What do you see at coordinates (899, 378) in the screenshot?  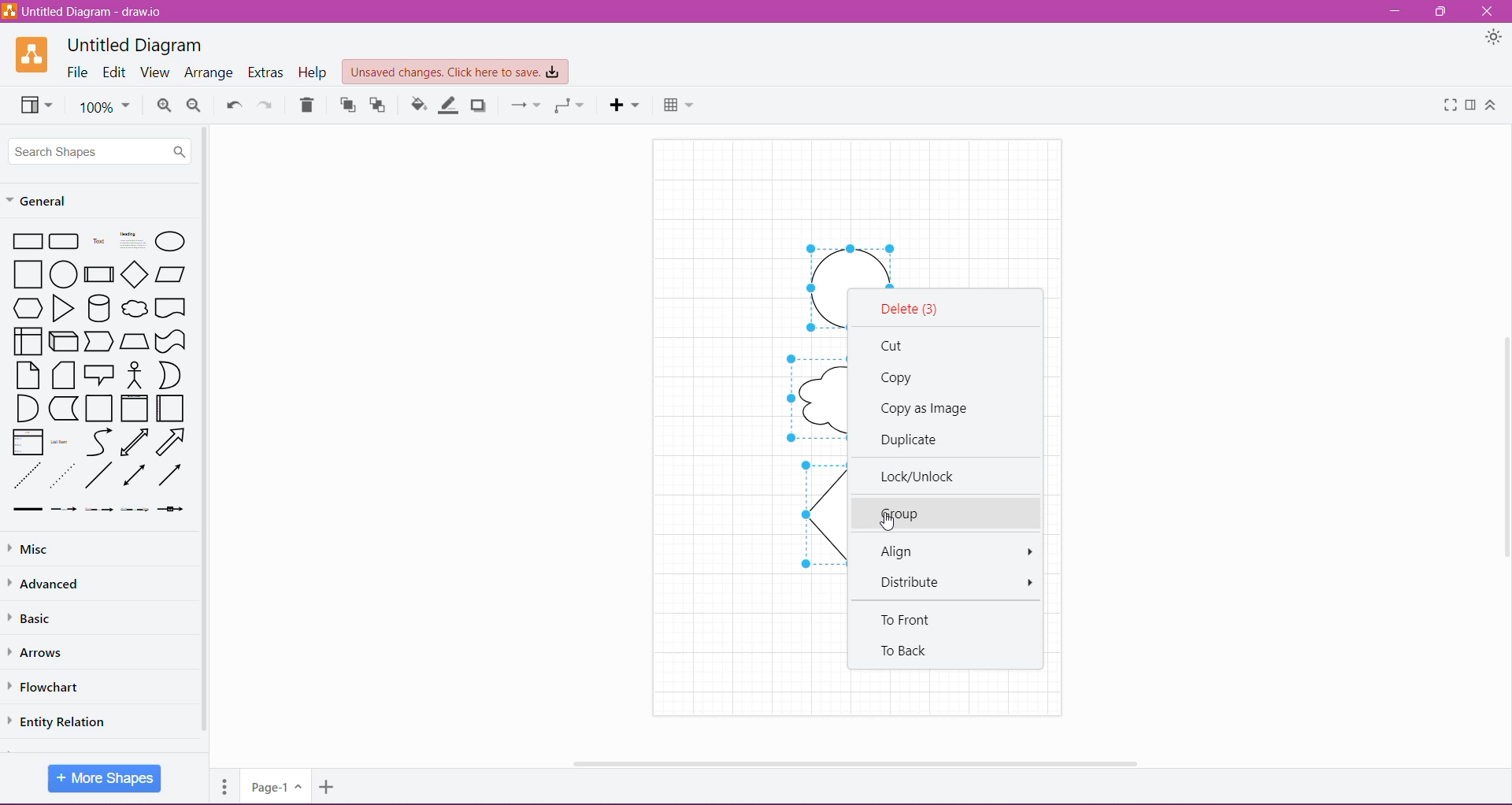 I see `Copy` at bounding box center [899, 378].